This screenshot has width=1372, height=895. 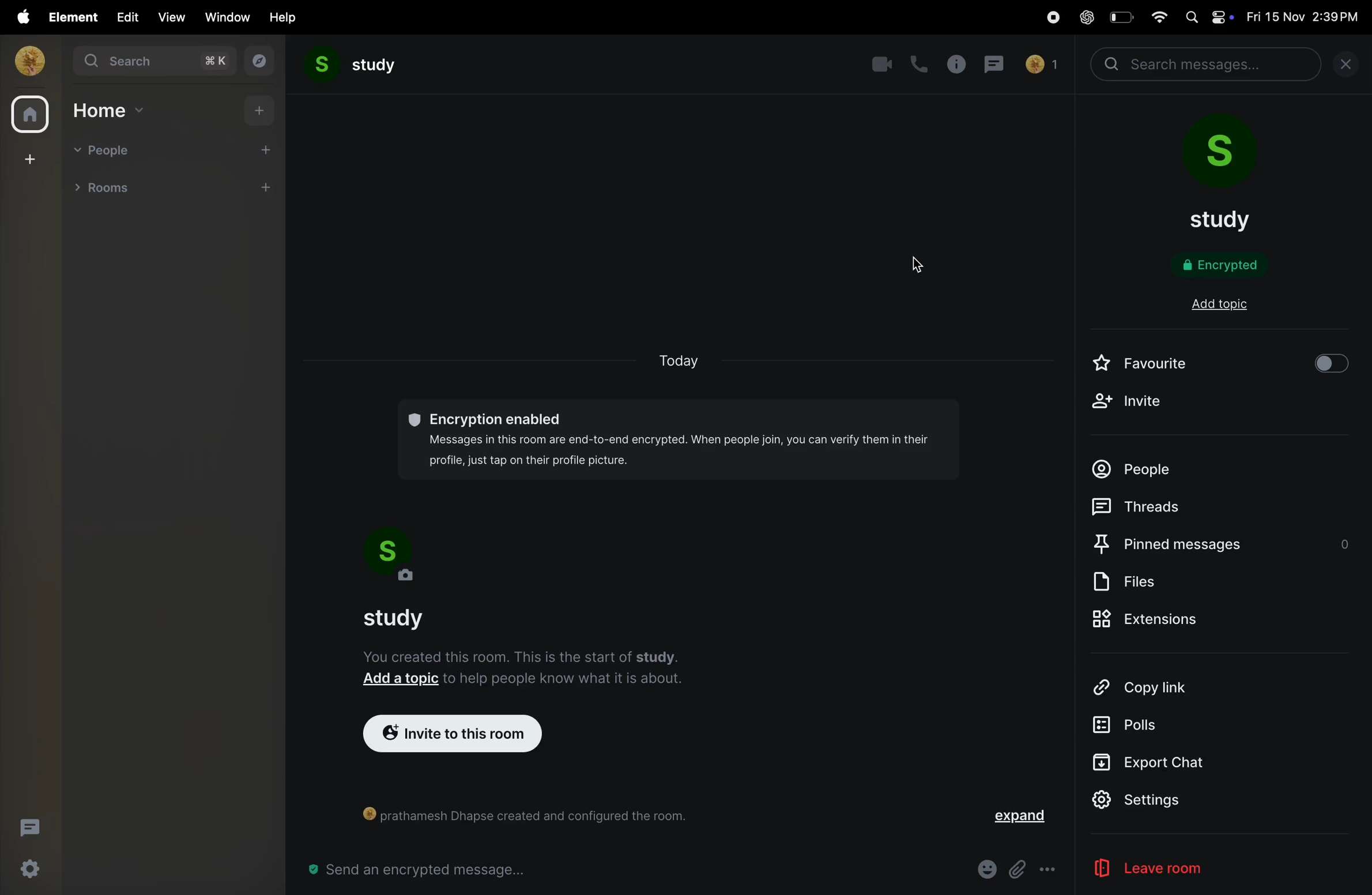 What do you see at coordinates (997, 65) in the screenshot?
I see `messages` at bounding box center [997, 65].